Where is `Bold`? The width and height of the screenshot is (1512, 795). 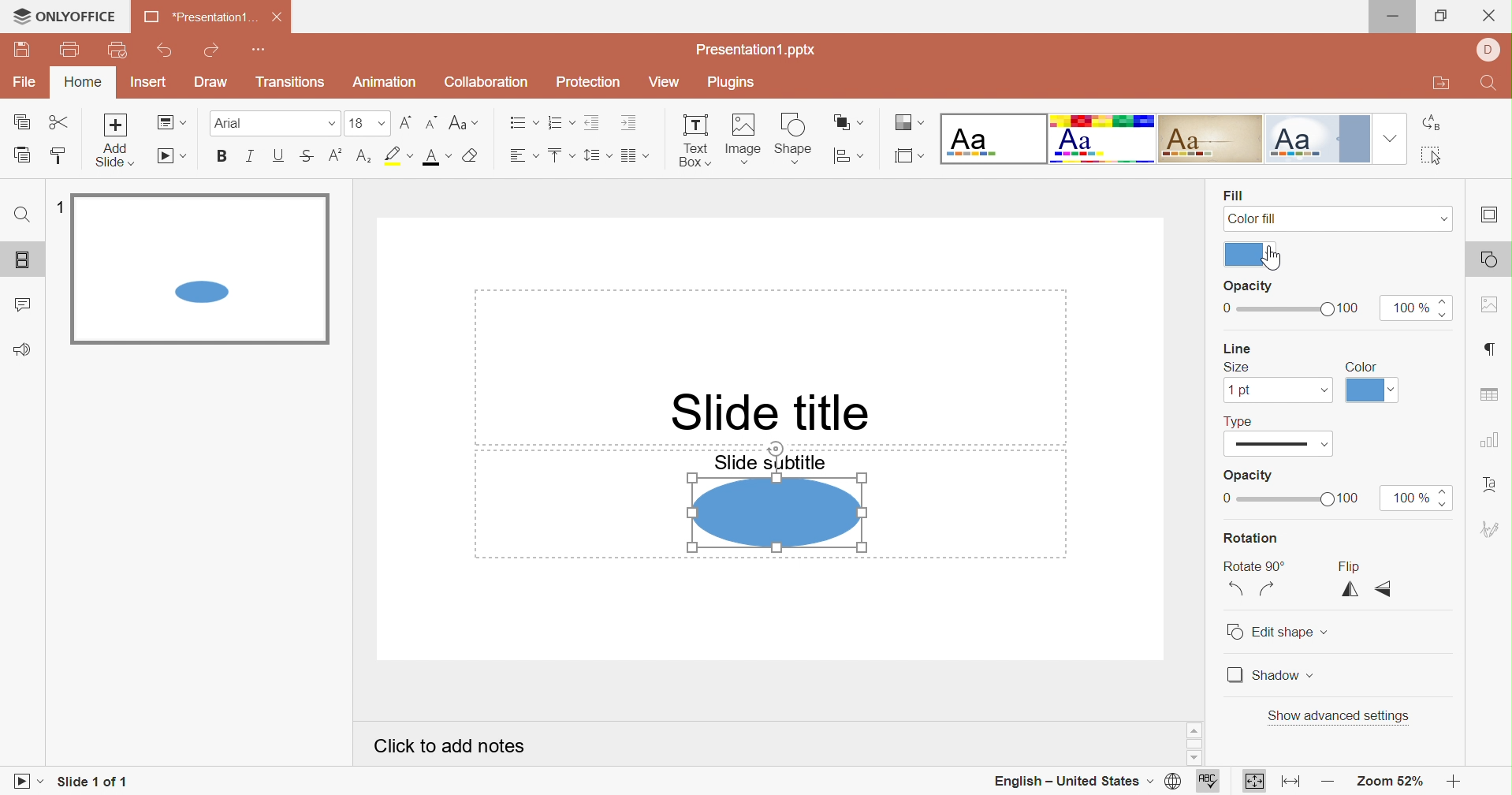
Bold is located at coordinates (224, 157).